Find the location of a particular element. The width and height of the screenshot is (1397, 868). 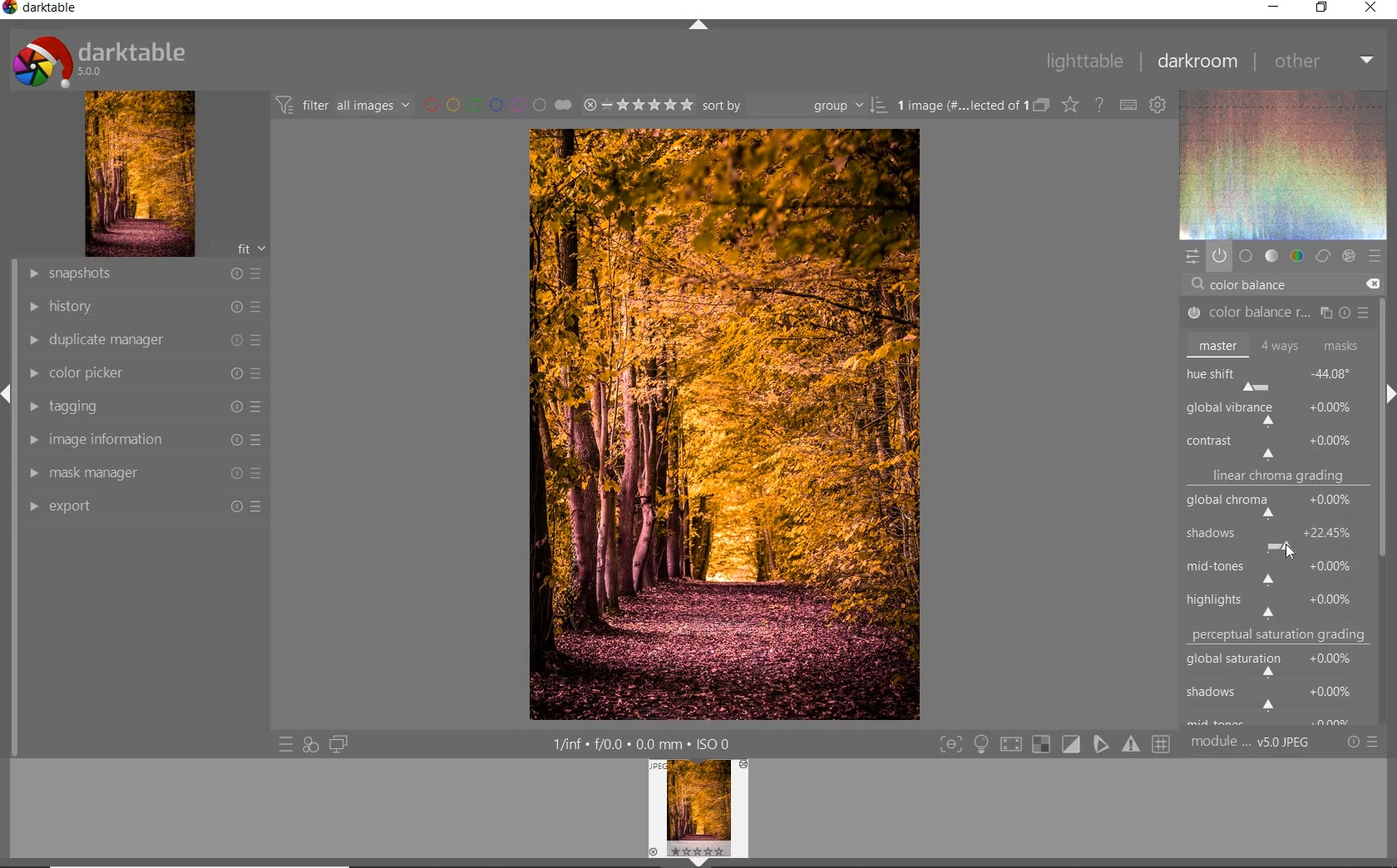

base is located at coordinates (1246, 256).